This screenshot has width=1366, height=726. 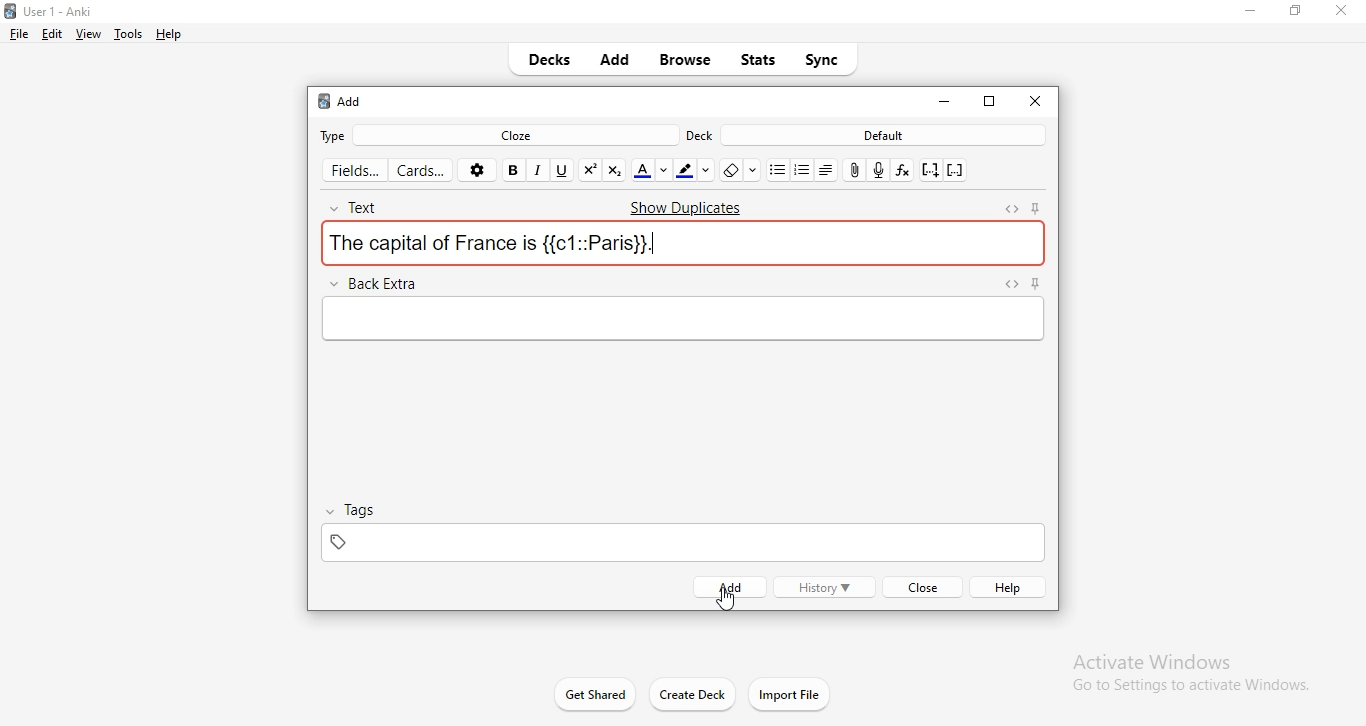 I want to click on bold, so click(x=515, y=169).